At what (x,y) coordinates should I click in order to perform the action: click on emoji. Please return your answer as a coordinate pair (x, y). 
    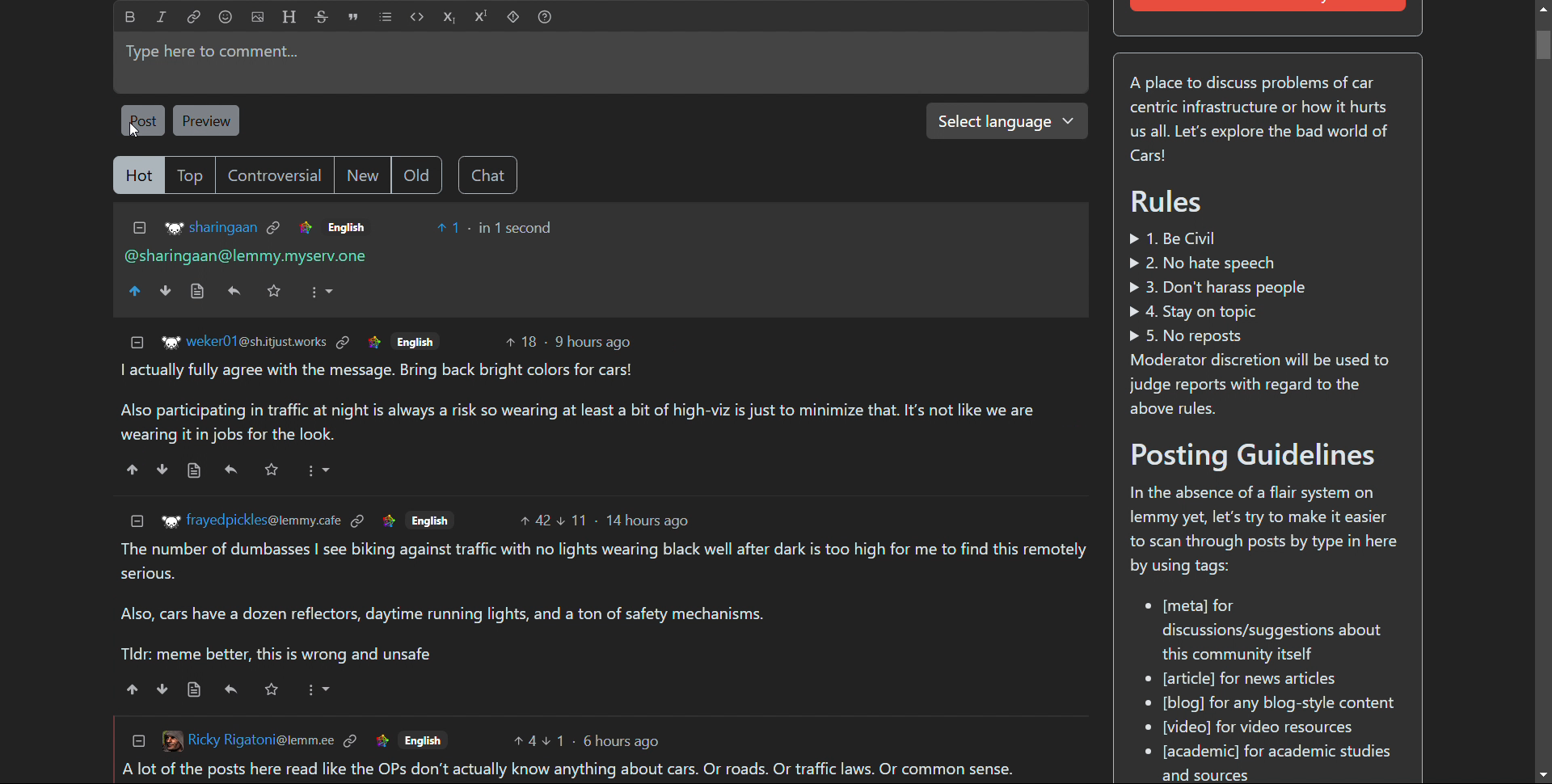
    Looking at the image, I should click on (226, 17).